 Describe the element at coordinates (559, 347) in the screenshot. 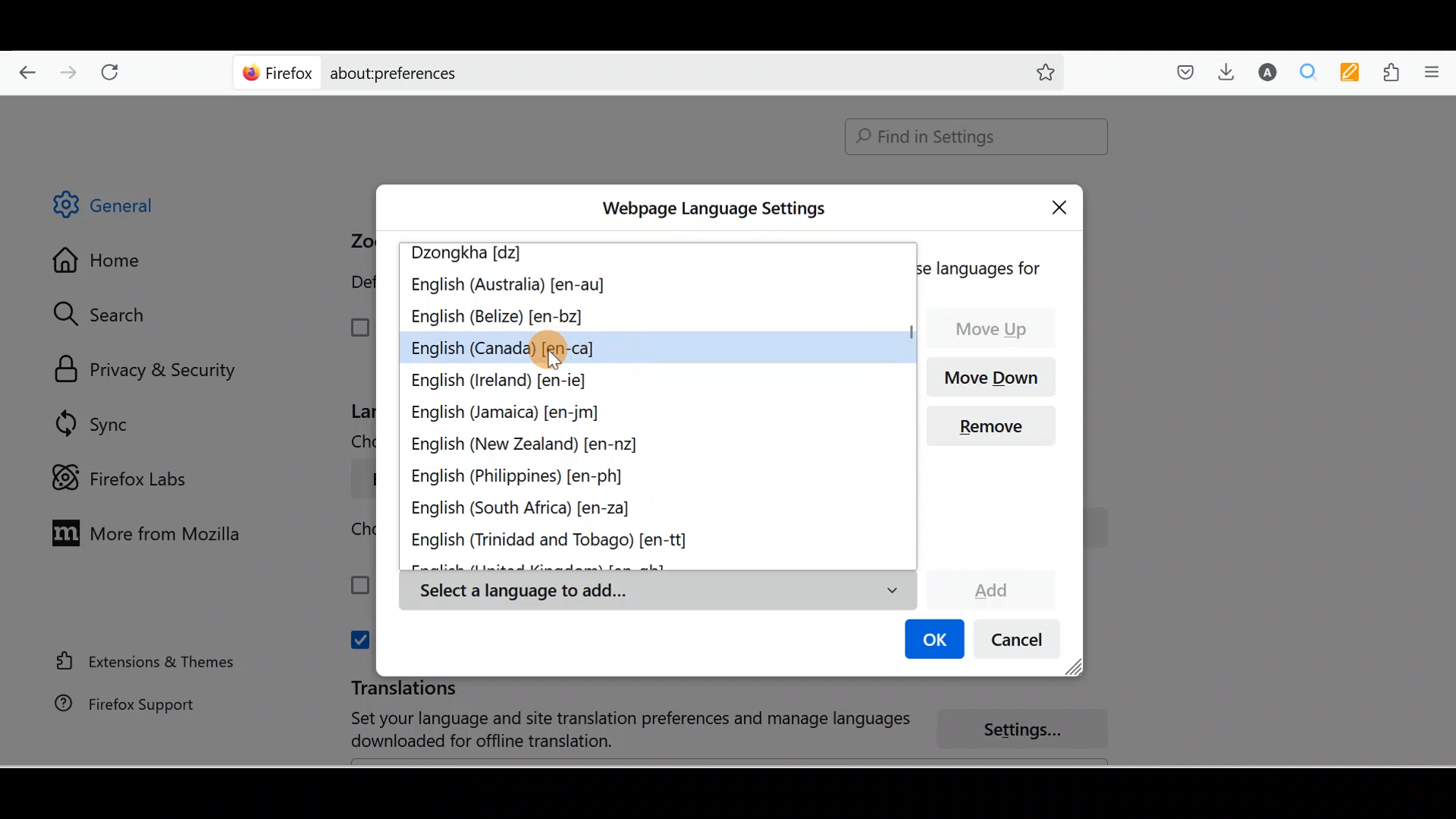

I see `Cursor` at that location.